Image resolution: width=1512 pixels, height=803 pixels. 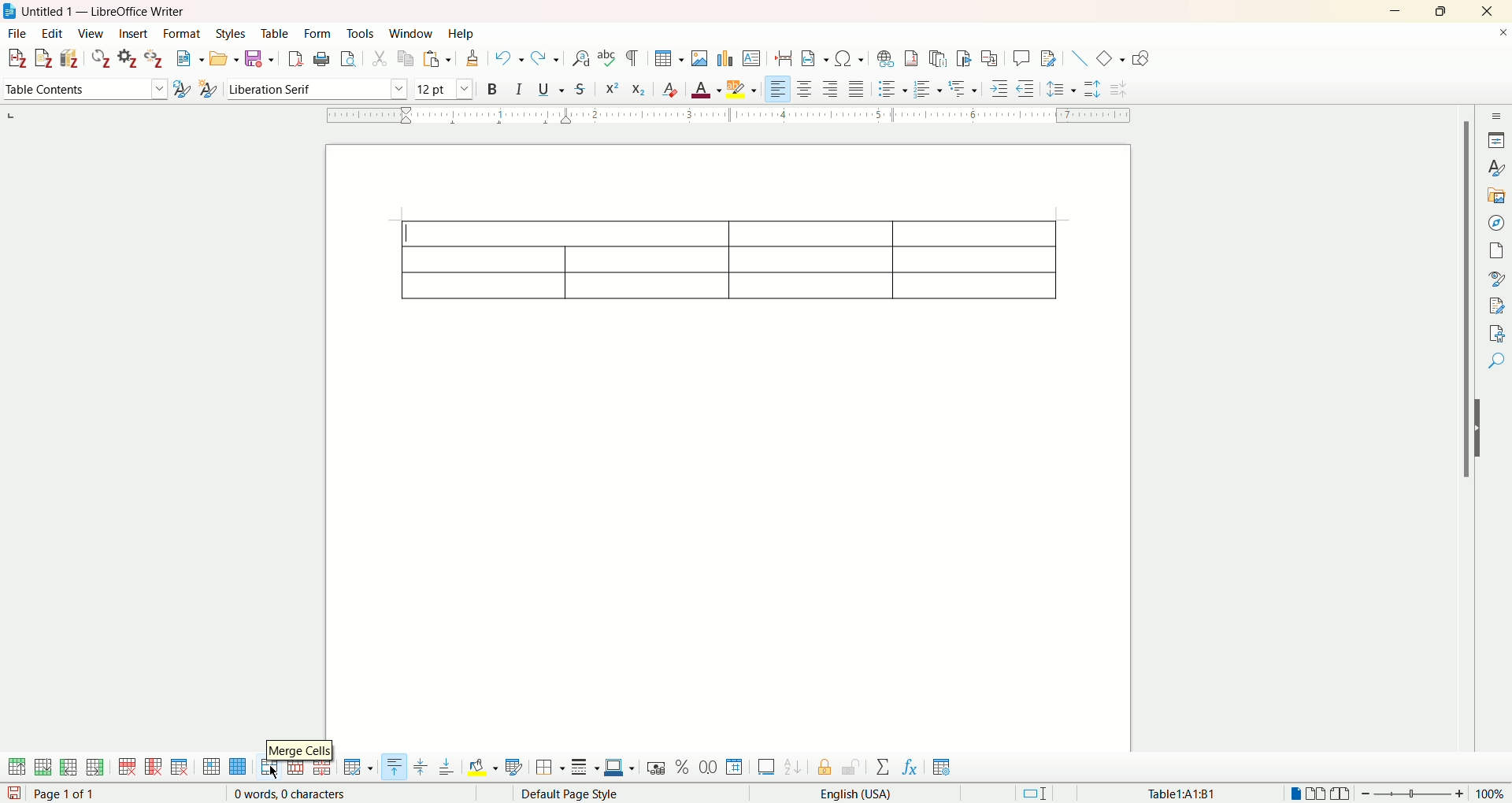 What do you see at coordinates (124, 764) in the screenshot?
I see `delete row` at bounding box center [124, 764].